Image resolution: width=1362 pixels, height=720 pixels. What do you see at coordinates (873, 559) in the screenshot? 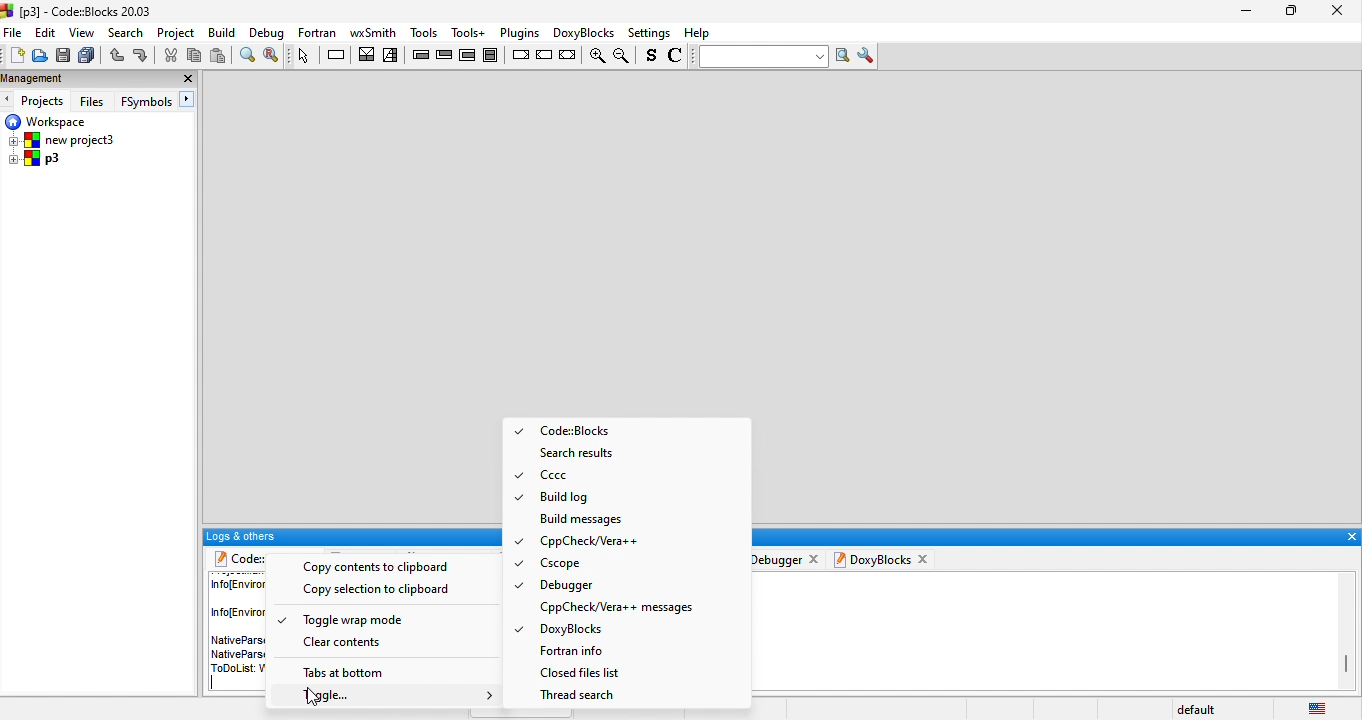
I see `doxyblocks` at bounding box center [873, 559].